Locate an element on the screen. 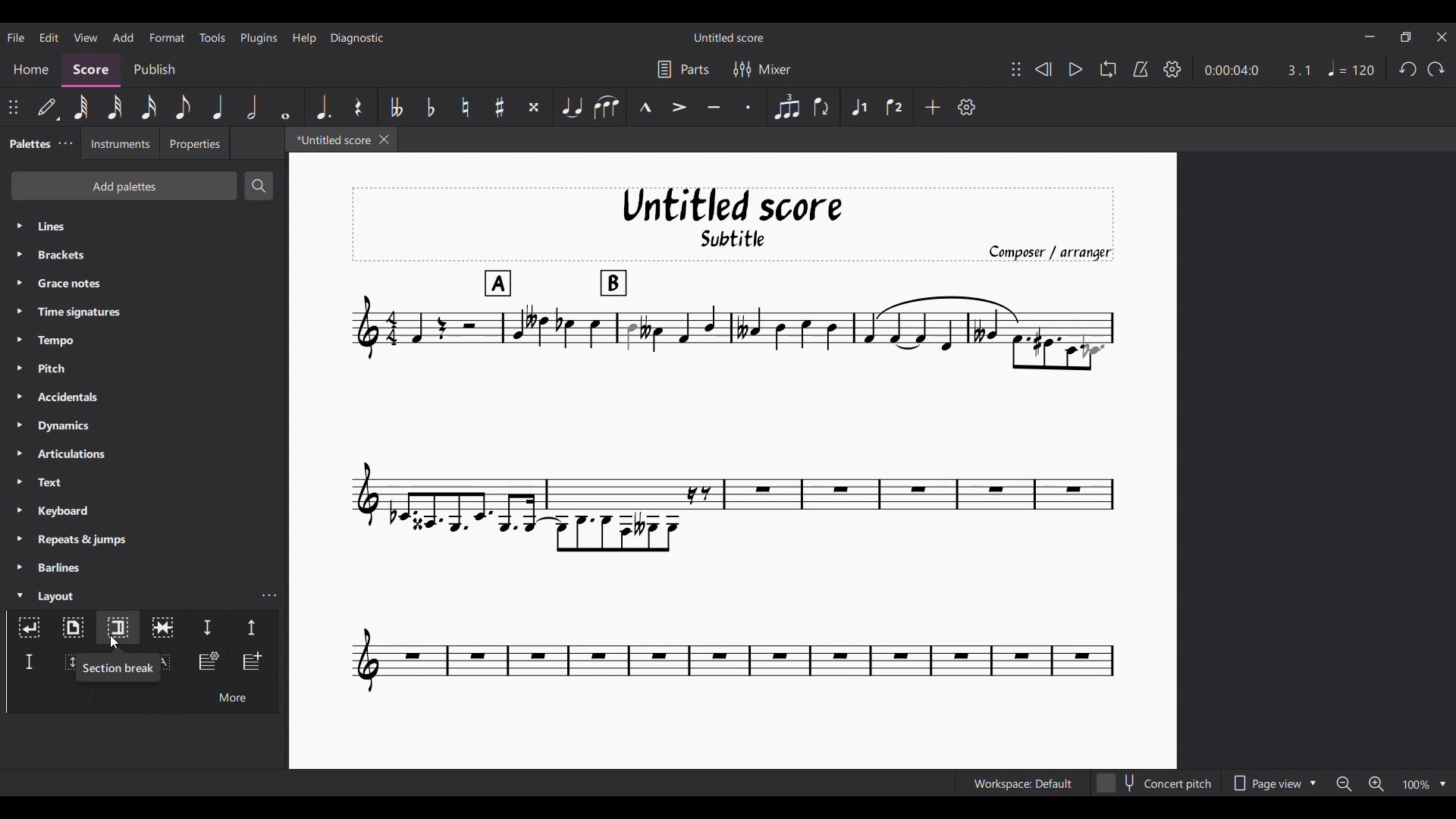 The height and width of the screenshot is (819, 1456). Augmentation dot is located at coordinates (322, 107).